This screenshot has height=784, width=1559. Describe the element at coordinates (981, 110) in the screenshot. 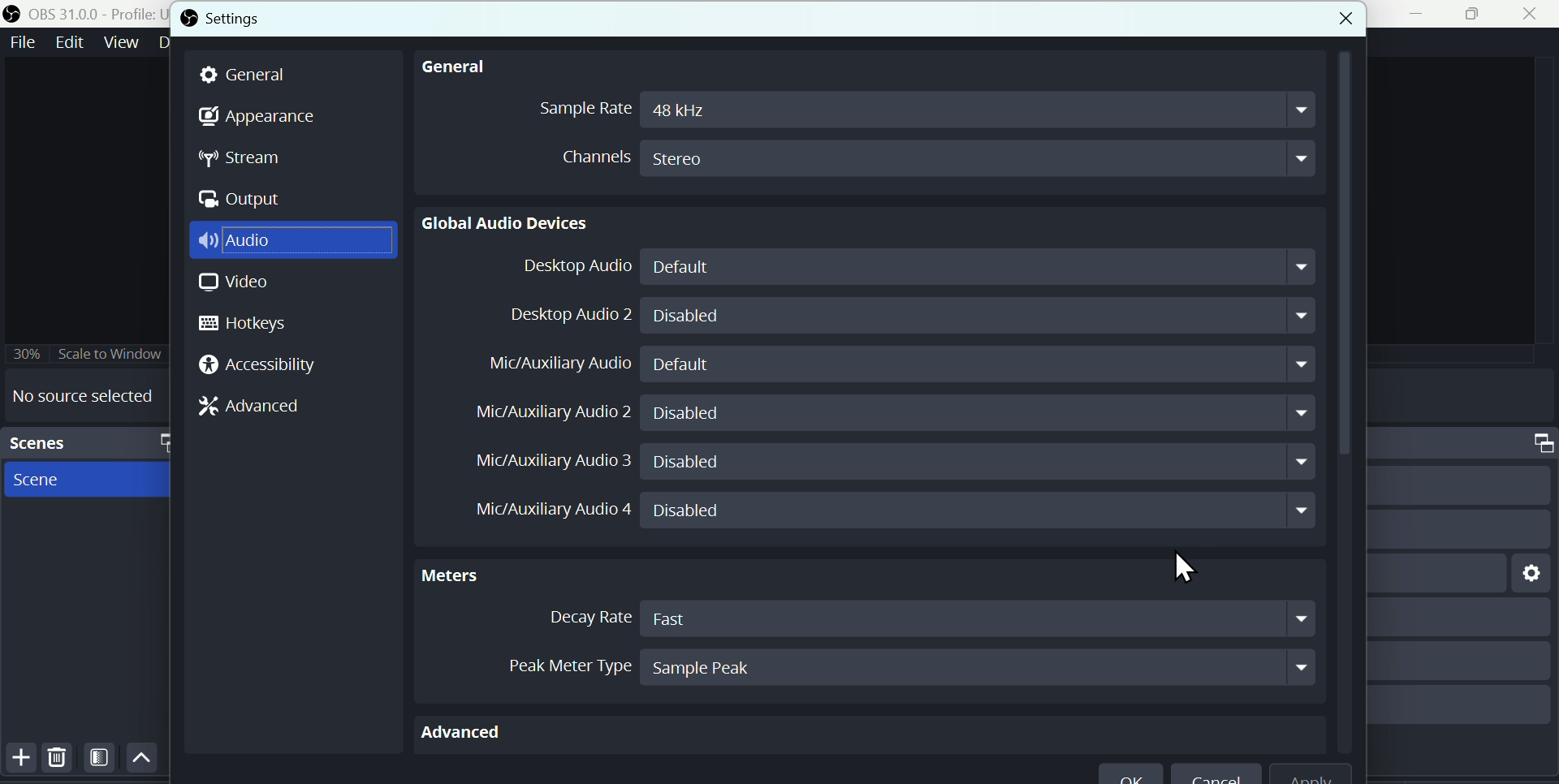

I see `48 kHz` at that location.